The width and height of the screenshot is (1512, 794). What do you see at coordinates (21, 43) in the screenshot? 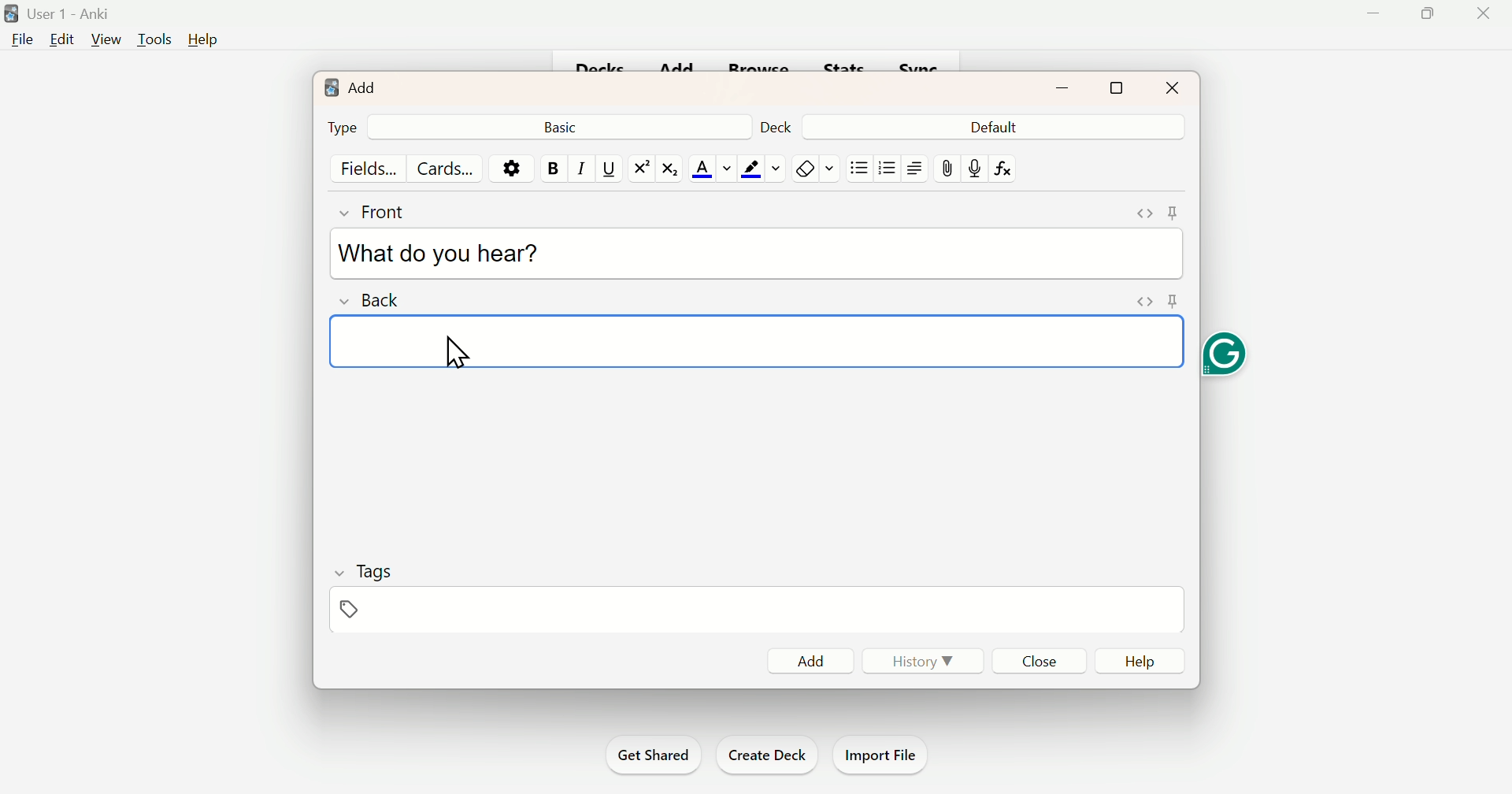
I see `File` at bounding box center [21, 43].